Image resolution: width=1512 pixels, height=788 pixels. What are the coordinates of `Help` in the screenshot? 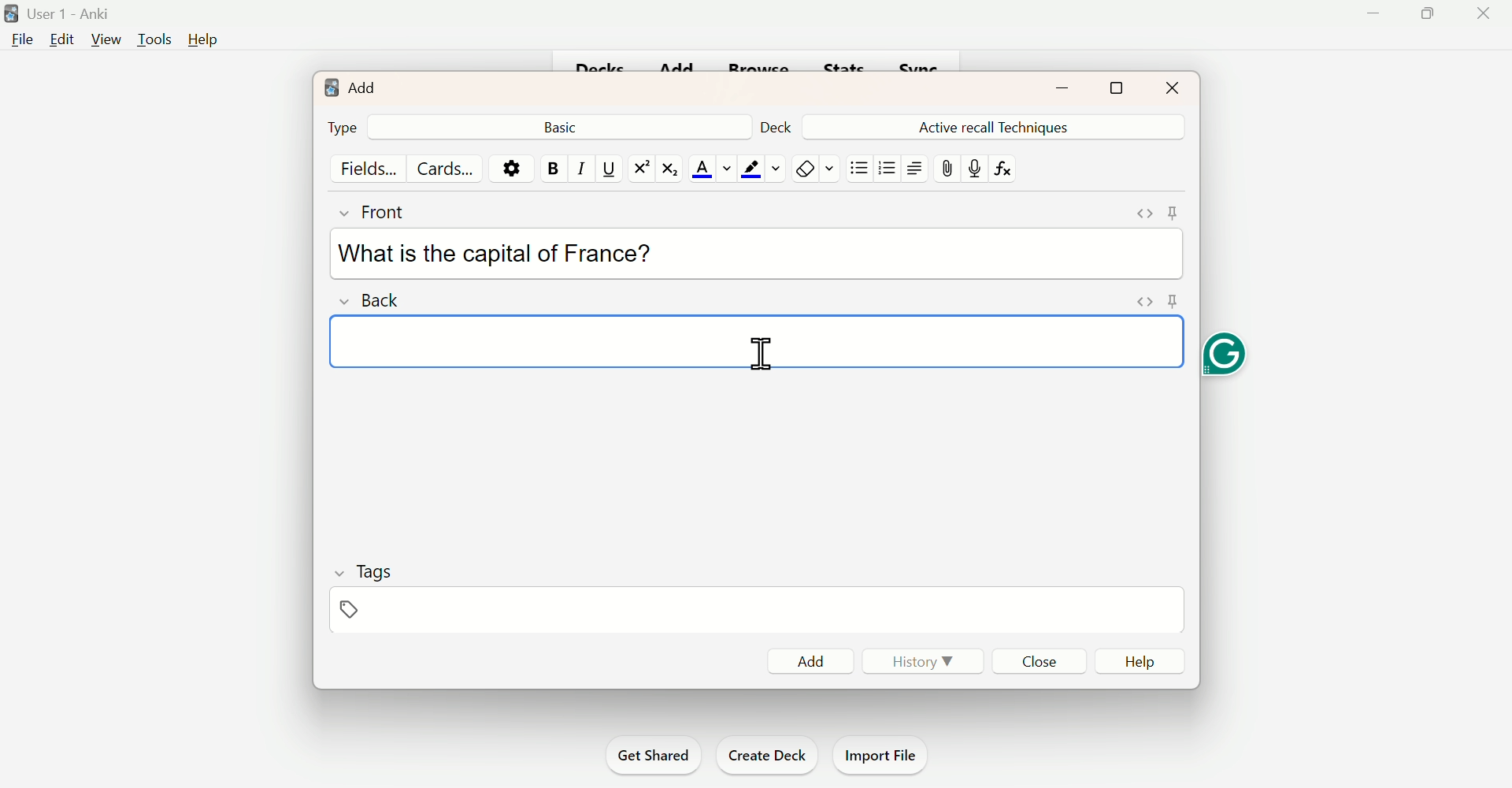 It's located at (204, 41).